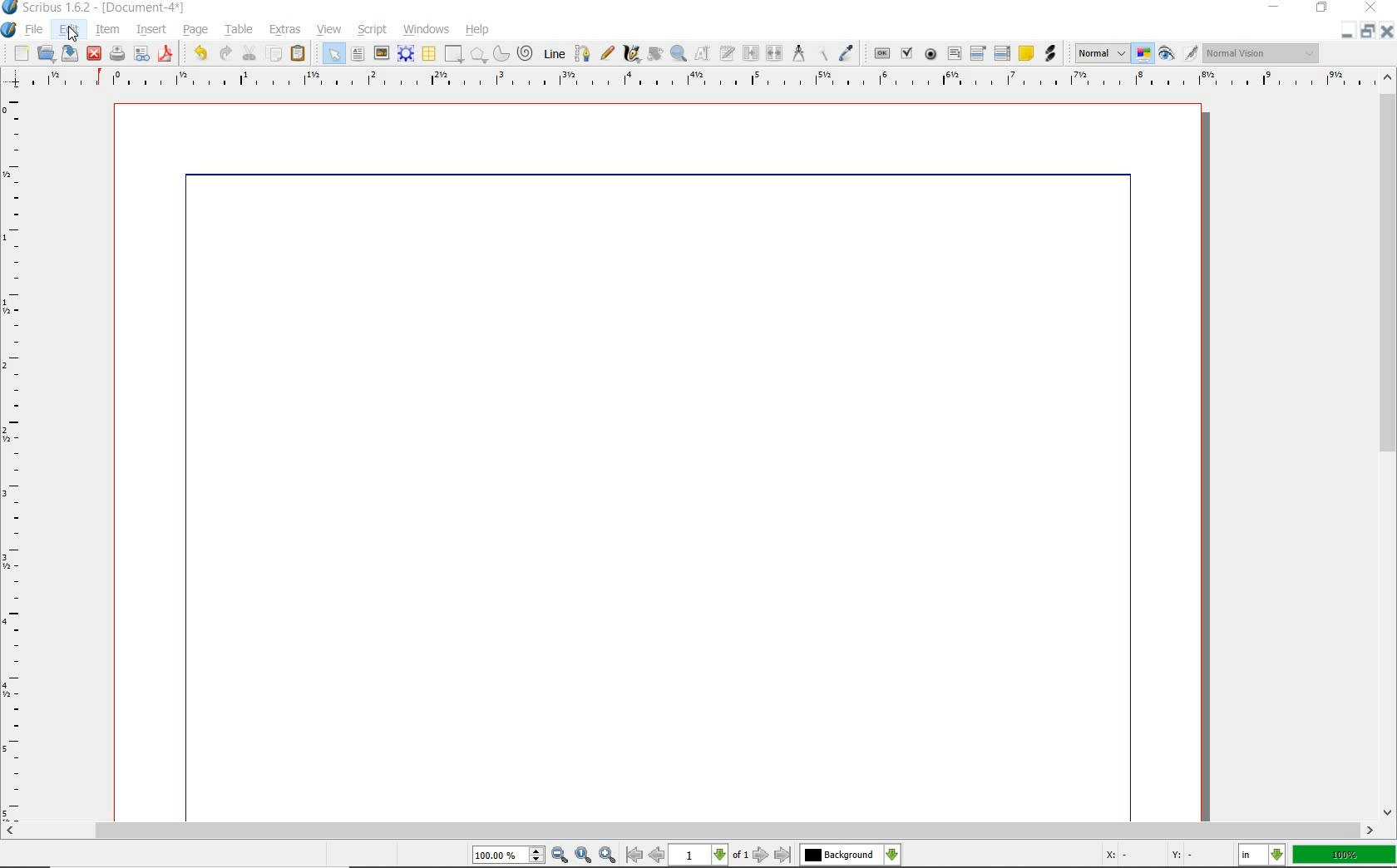 Image resolution: width=1397 pixels, height=868 pixels. I want to click on go to next page, so click(763, 855).